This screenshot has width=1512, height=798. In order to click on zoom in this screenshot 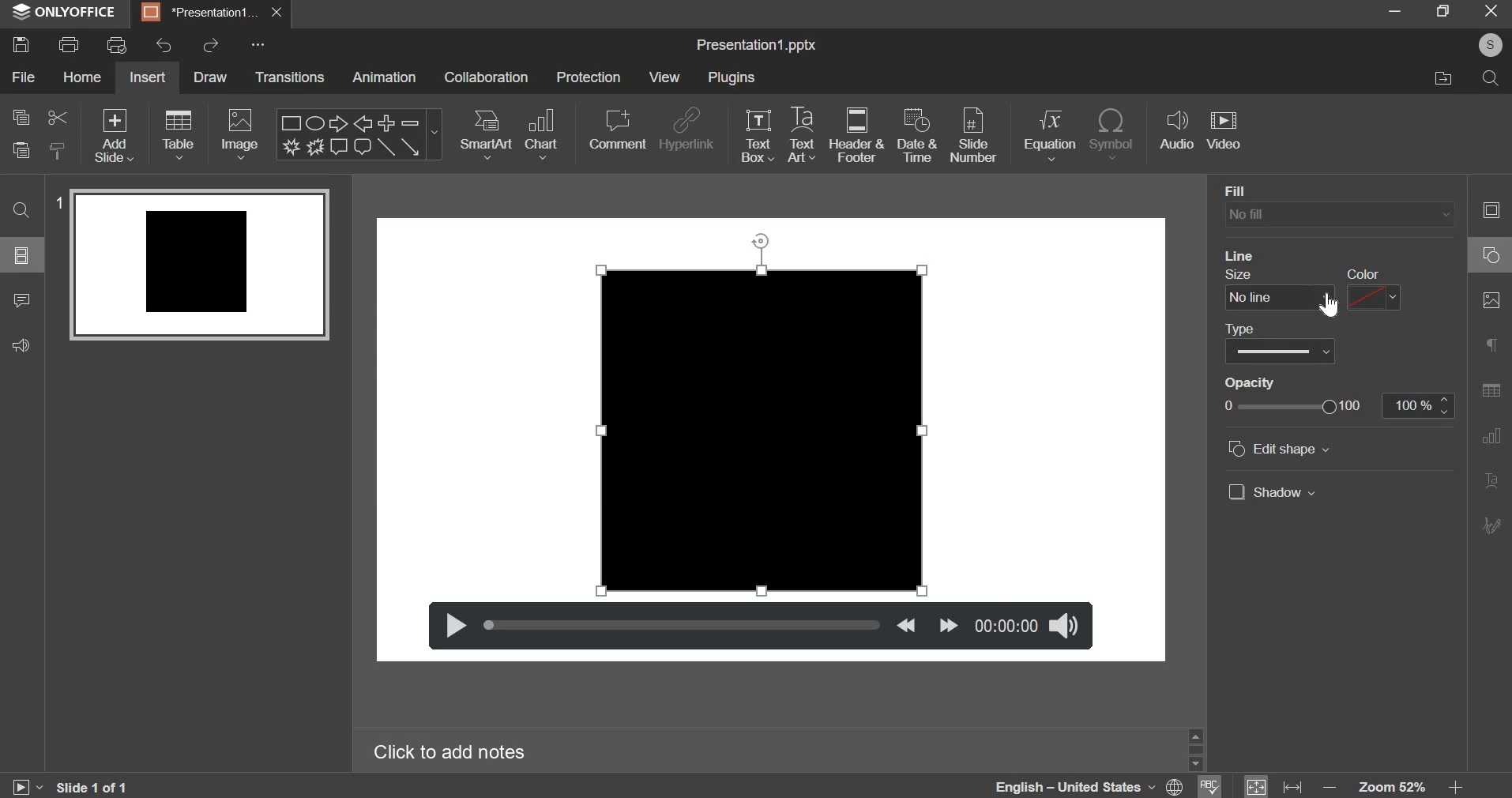, I will do `click(1401, 783)`.